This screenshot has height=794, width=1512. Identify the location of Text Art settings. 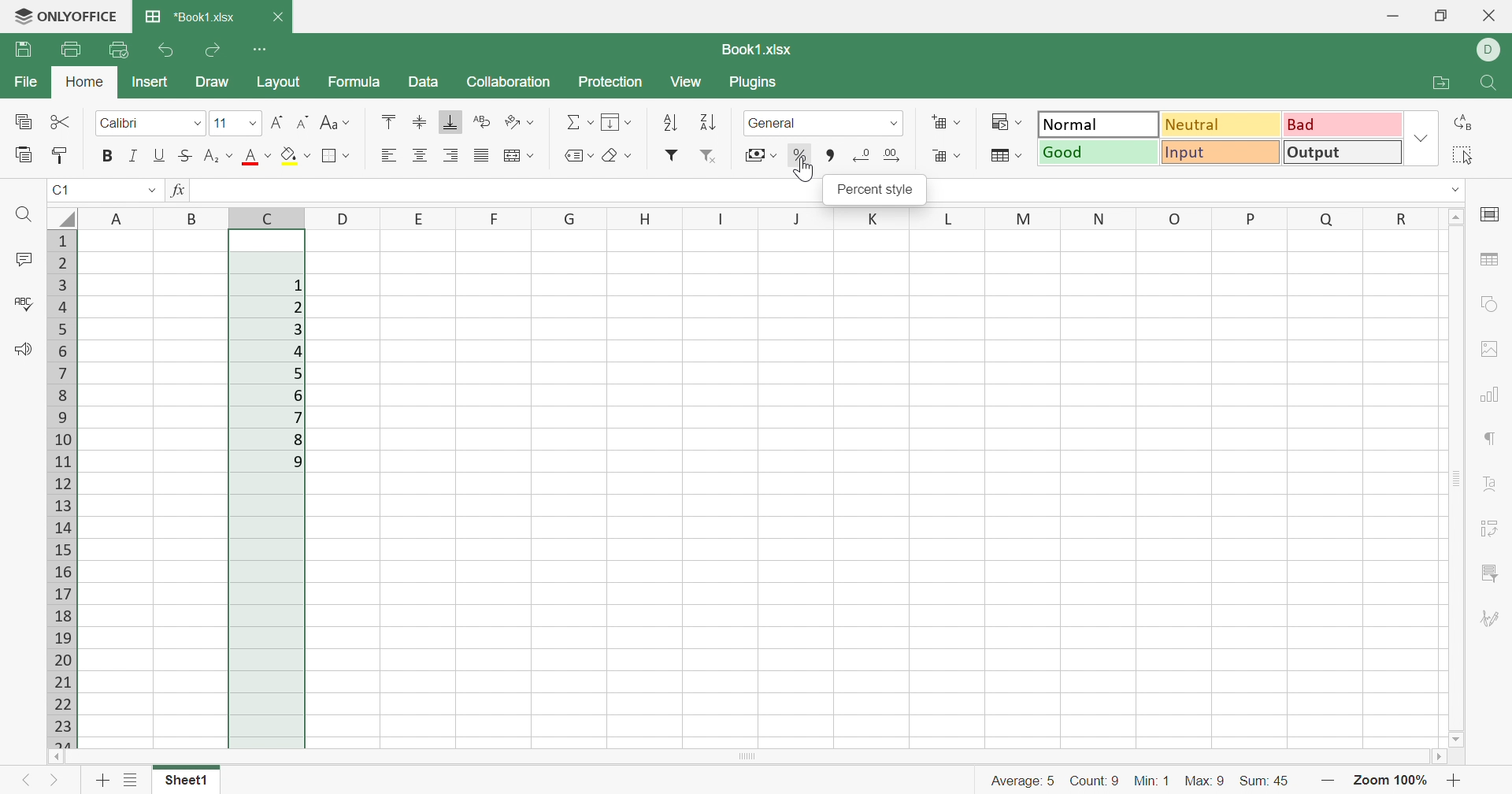
(1492, 486).